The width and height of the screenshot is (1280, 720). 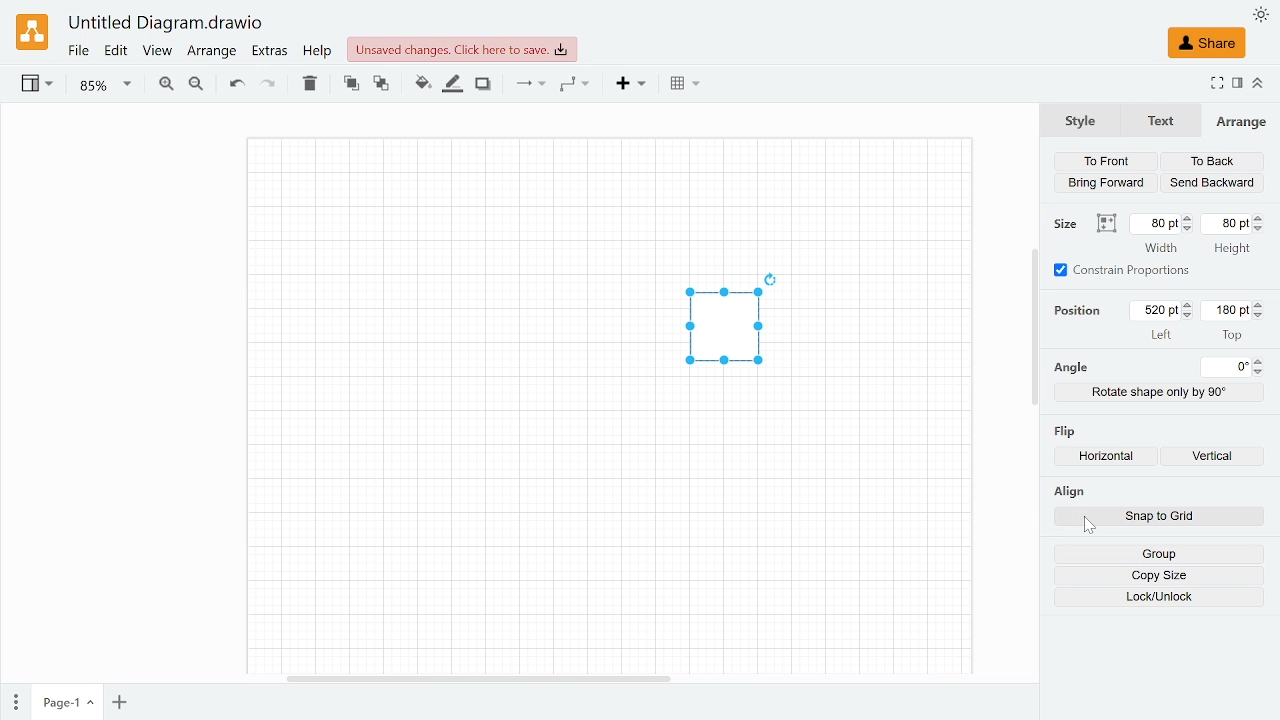 I want to click on View settings, so click(x=35, y=85).